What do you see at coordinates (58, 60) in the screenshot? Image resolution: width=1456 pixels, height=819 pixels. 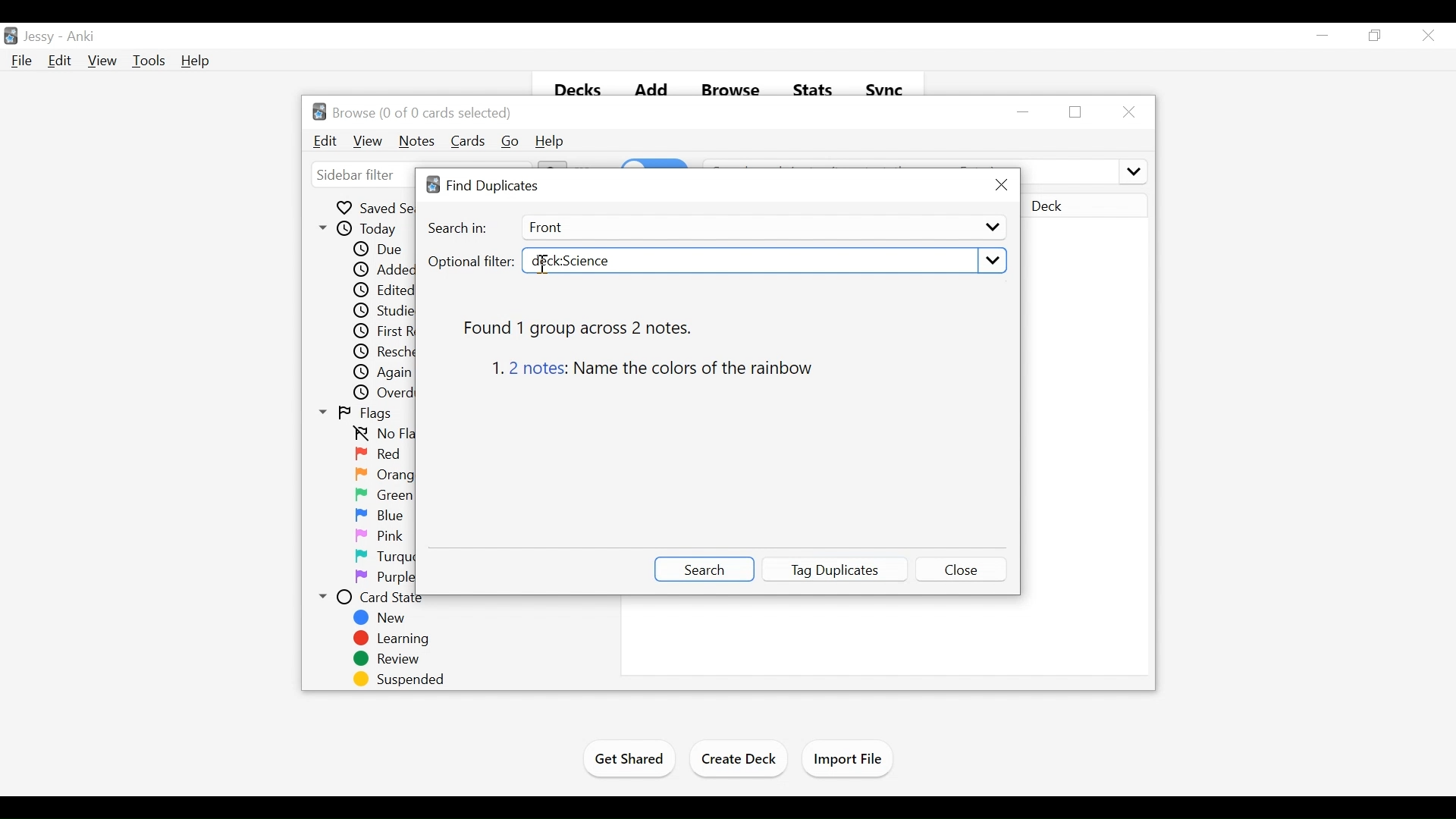 I see `Edit` at bounding box center [58, 60].